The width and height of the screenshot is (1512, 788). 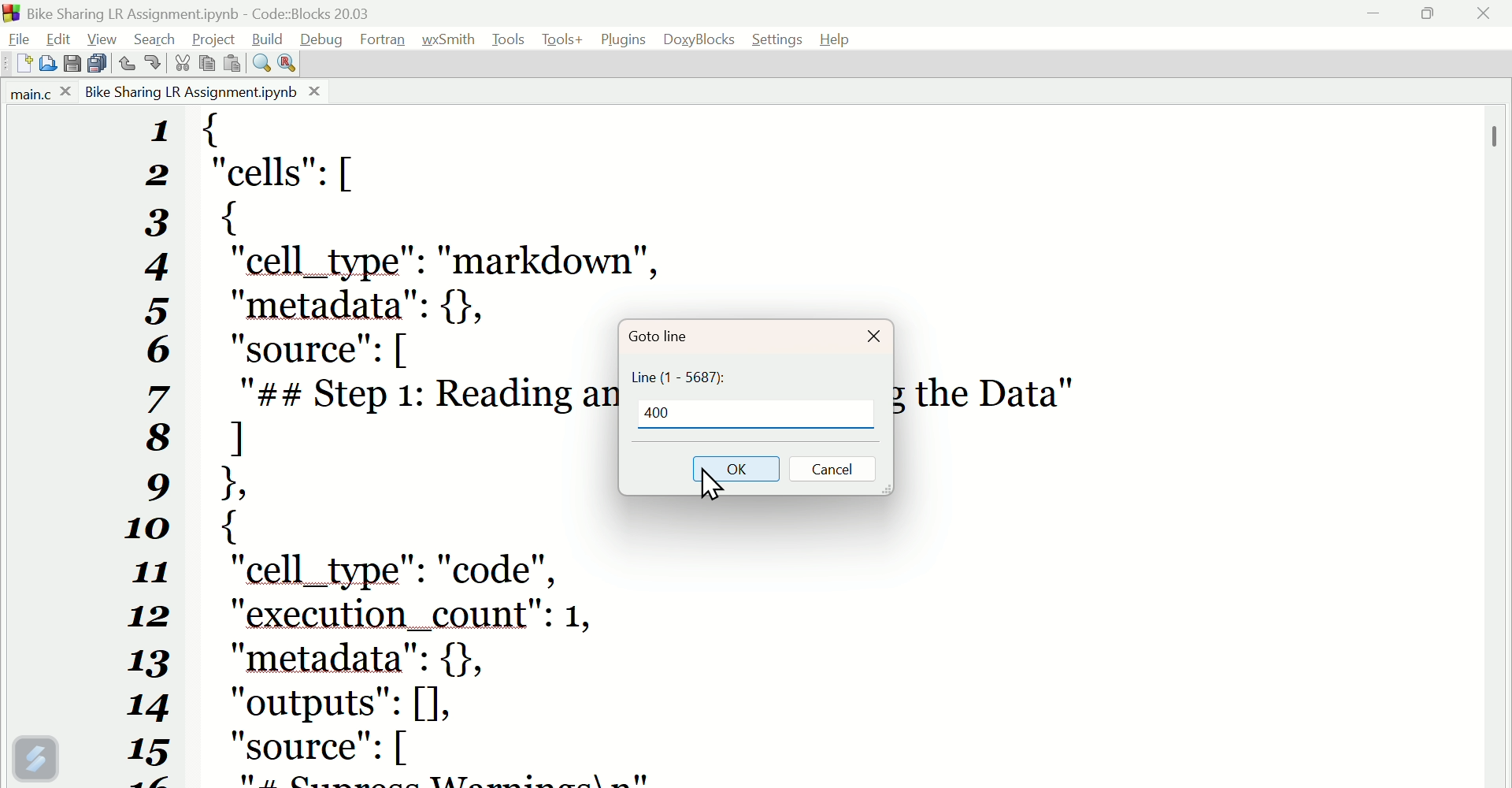 I want to click on Copy, so click(x=207, y=64).